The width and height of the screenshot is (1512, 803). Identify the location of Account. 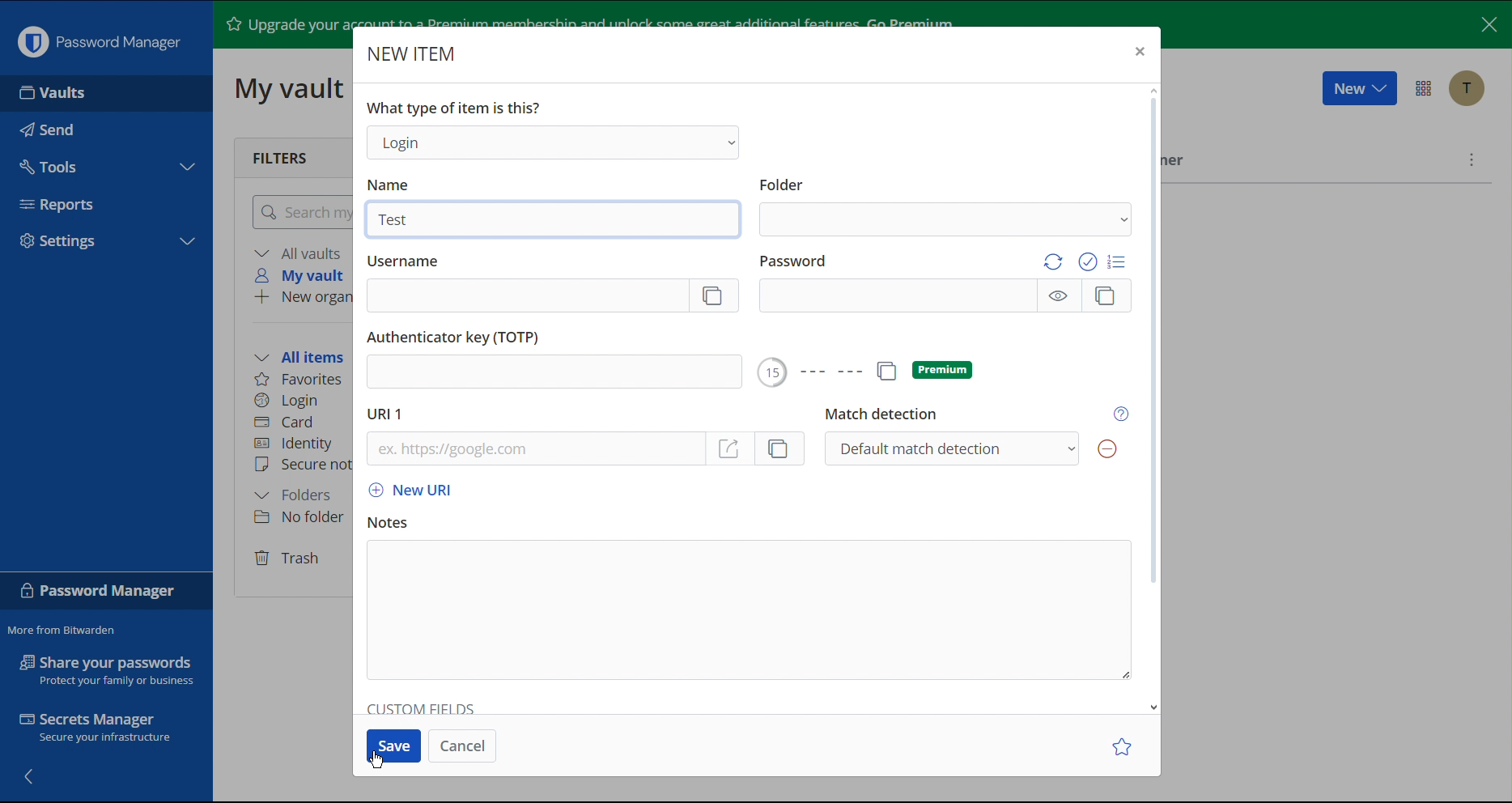
(1467, 90).